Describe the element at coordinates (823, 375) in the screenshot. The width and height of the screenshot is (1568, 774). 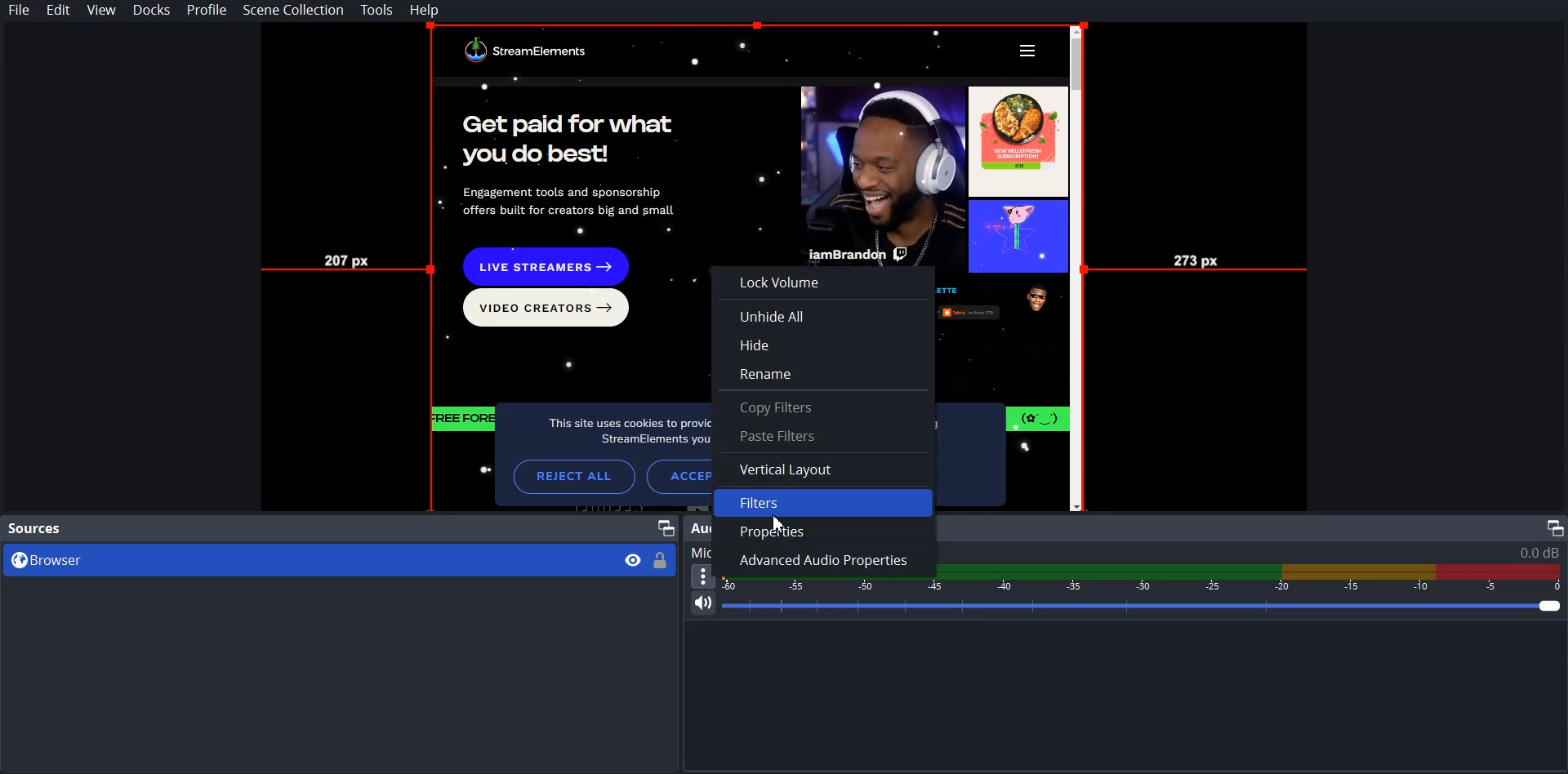
I see `Rename` at that location.